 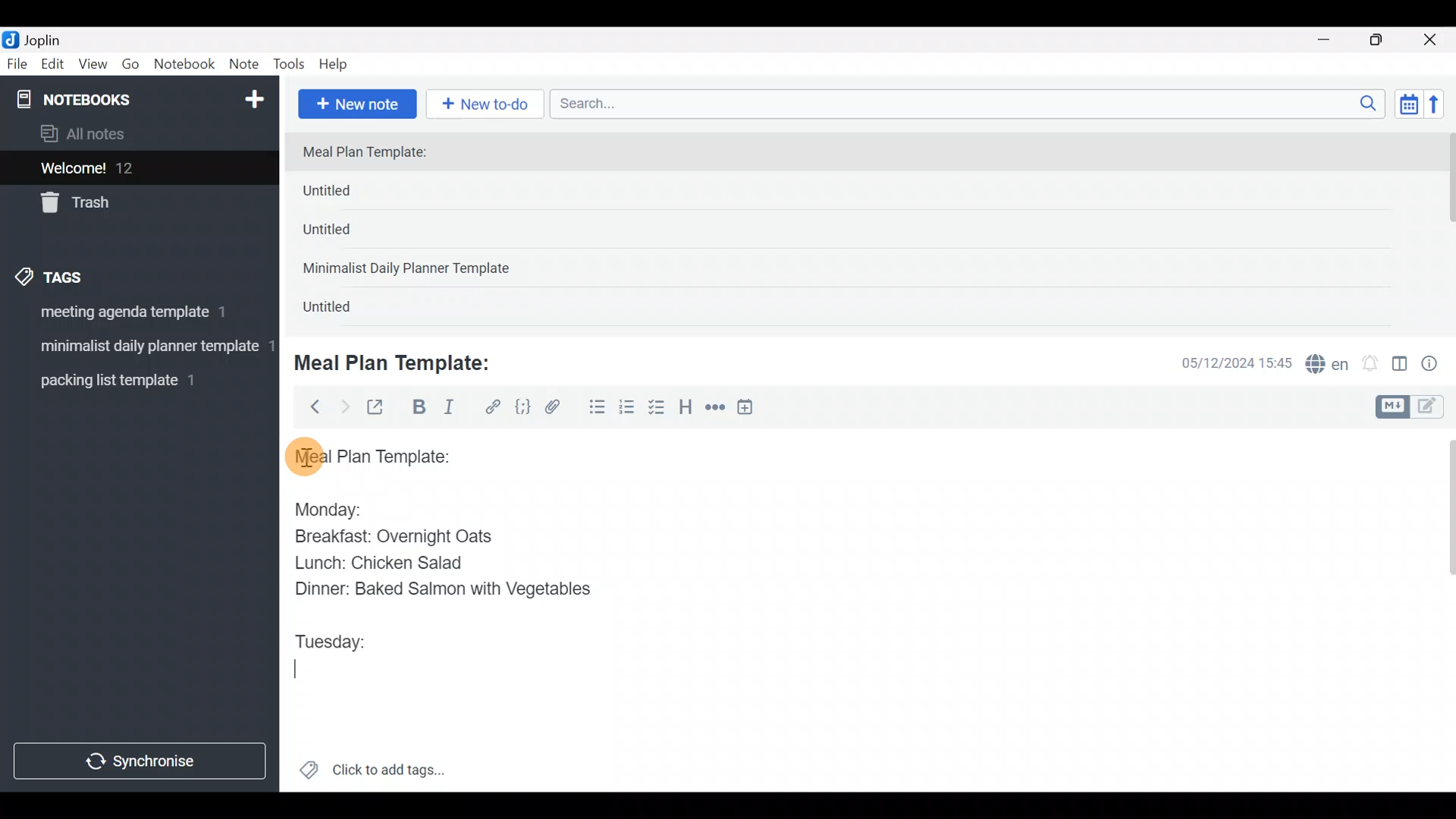 What do you see at coordinates (1328, 366) in the screenshot?
I see `Spelling` at bounding box center [1328, 366].